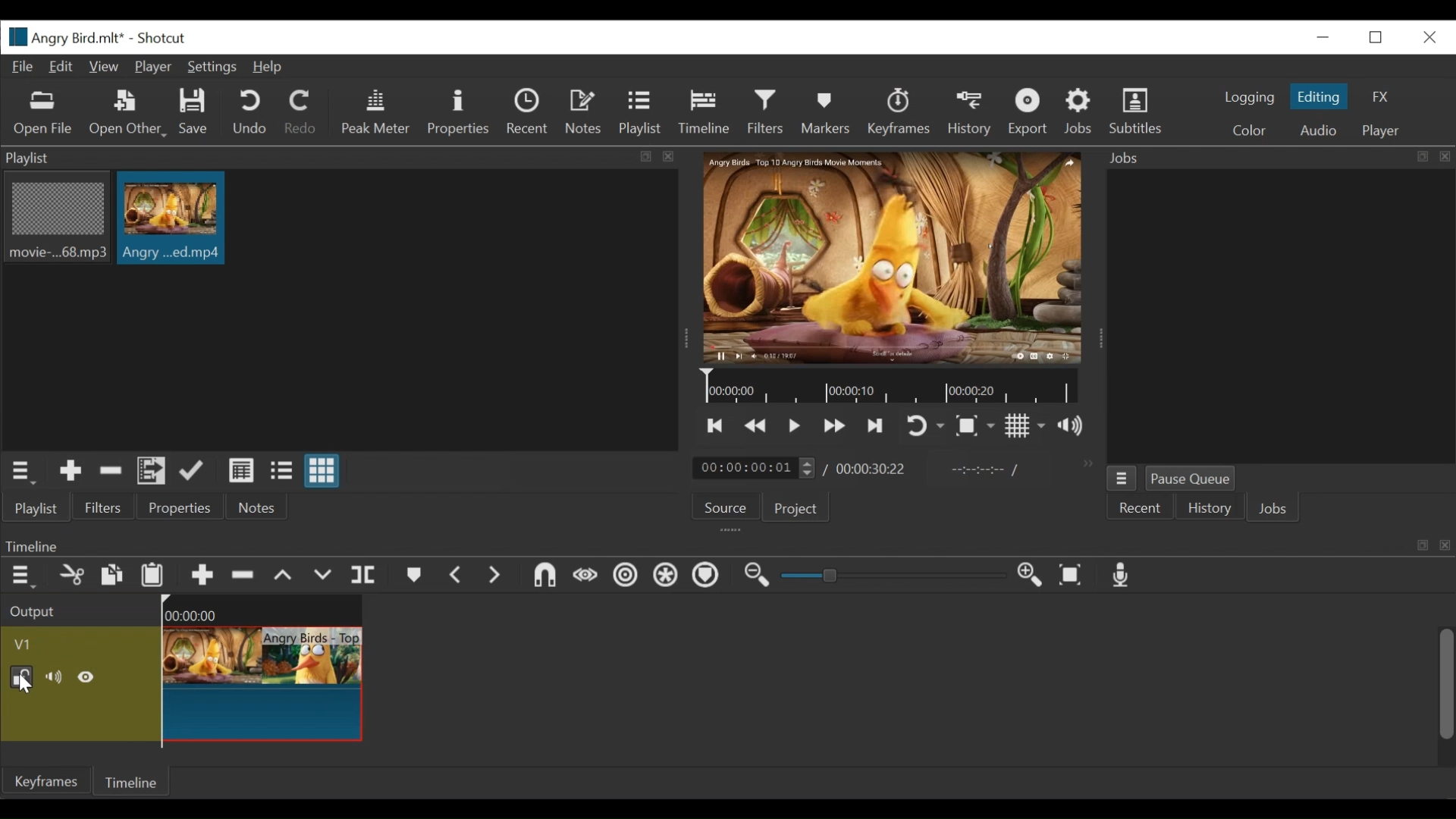  Describe the element at coordinates (105, 507) in the screenshot. I see `Filters` at that location.